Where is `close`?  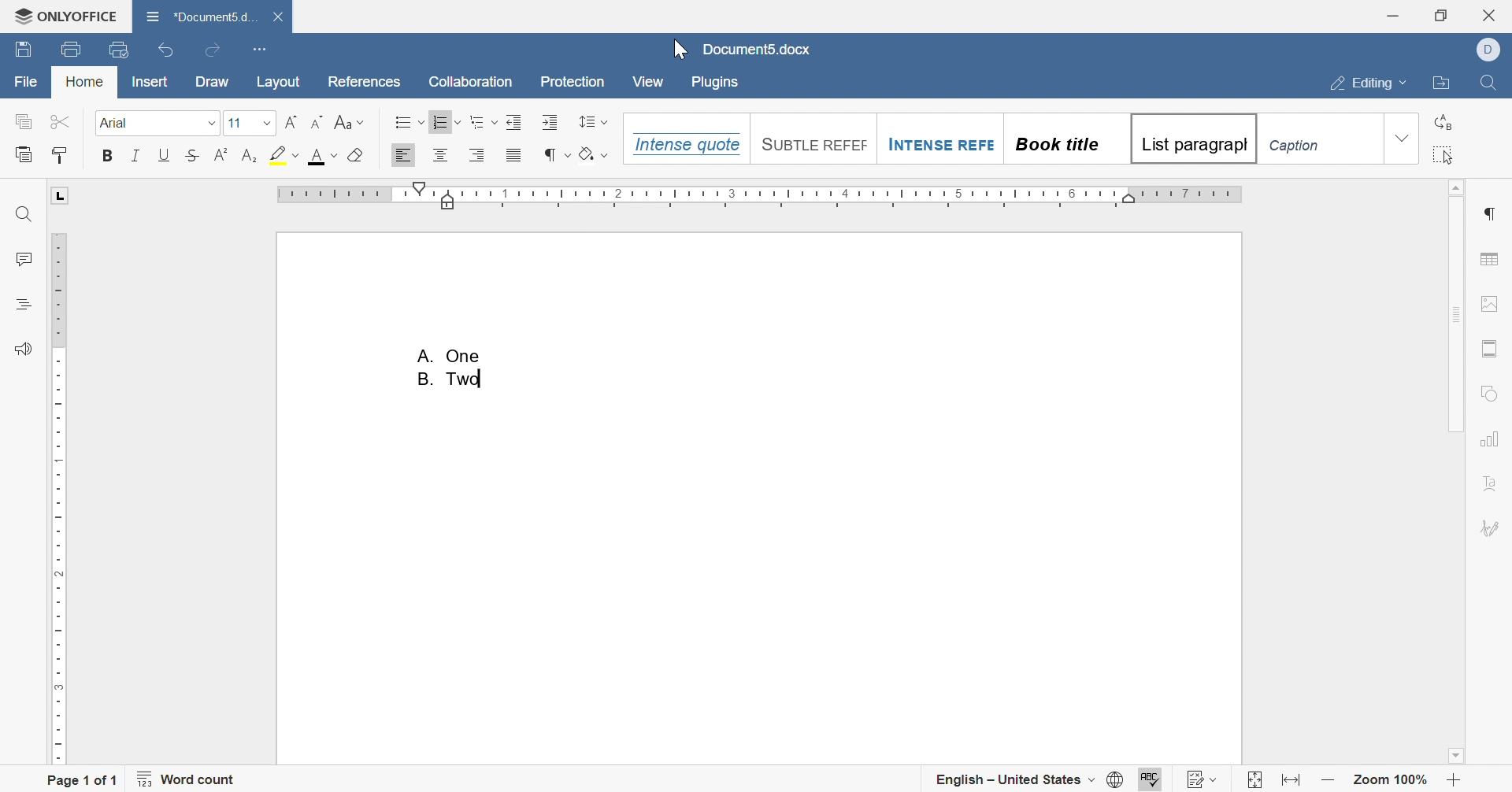 close is located at coordinates (279, 16).